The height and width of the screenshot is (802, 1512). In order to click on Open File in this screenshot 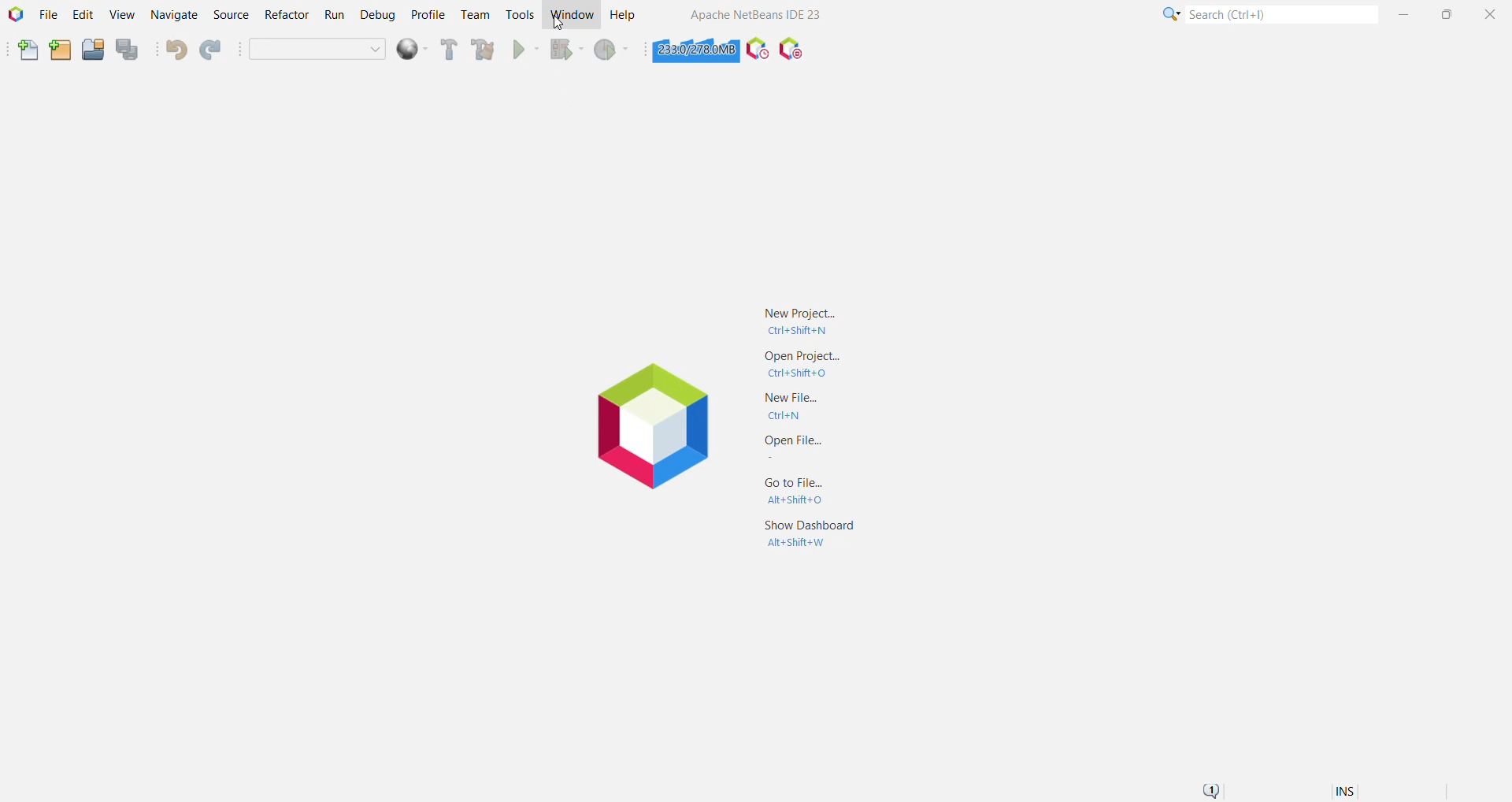, I will do `click(795, 440)`.